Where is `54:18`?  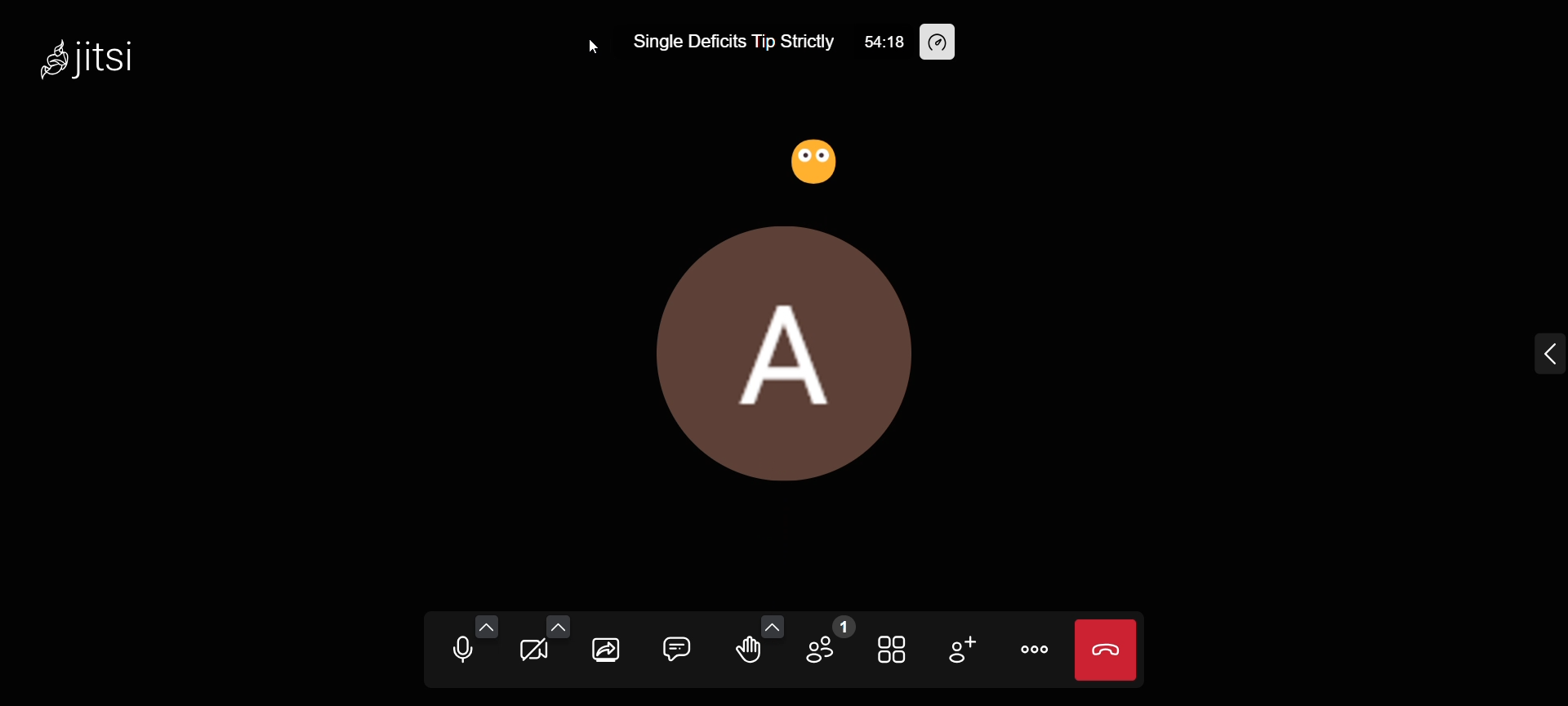 54:18 is located at coordinates (871, 42).